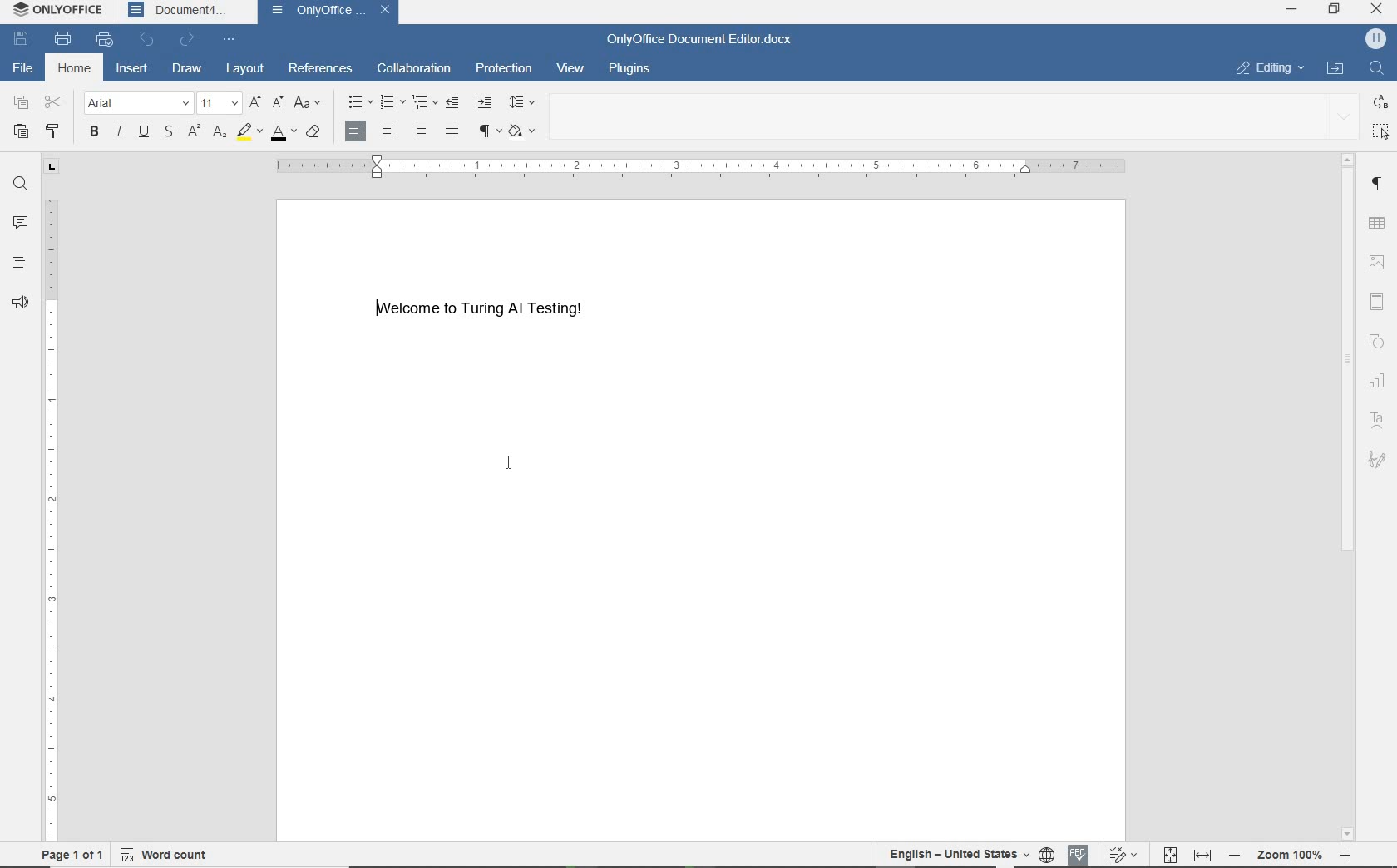  What do you see at coordinates (119, 133) in the screenshot?
I see `italic` at bounding box center [119, 133].